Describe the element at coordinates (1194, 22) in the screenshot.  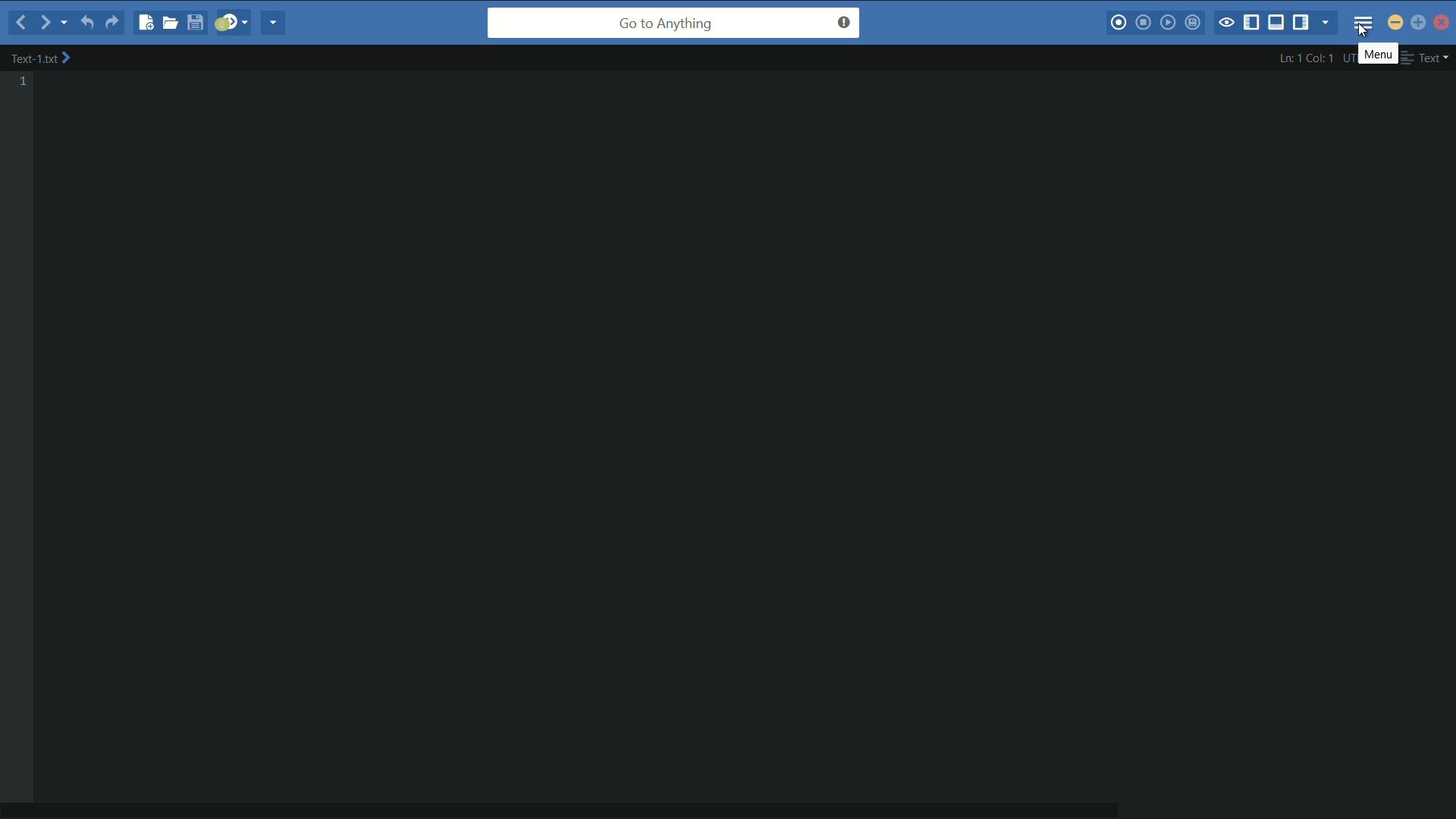
I see `save macros to toolbox` at that location.